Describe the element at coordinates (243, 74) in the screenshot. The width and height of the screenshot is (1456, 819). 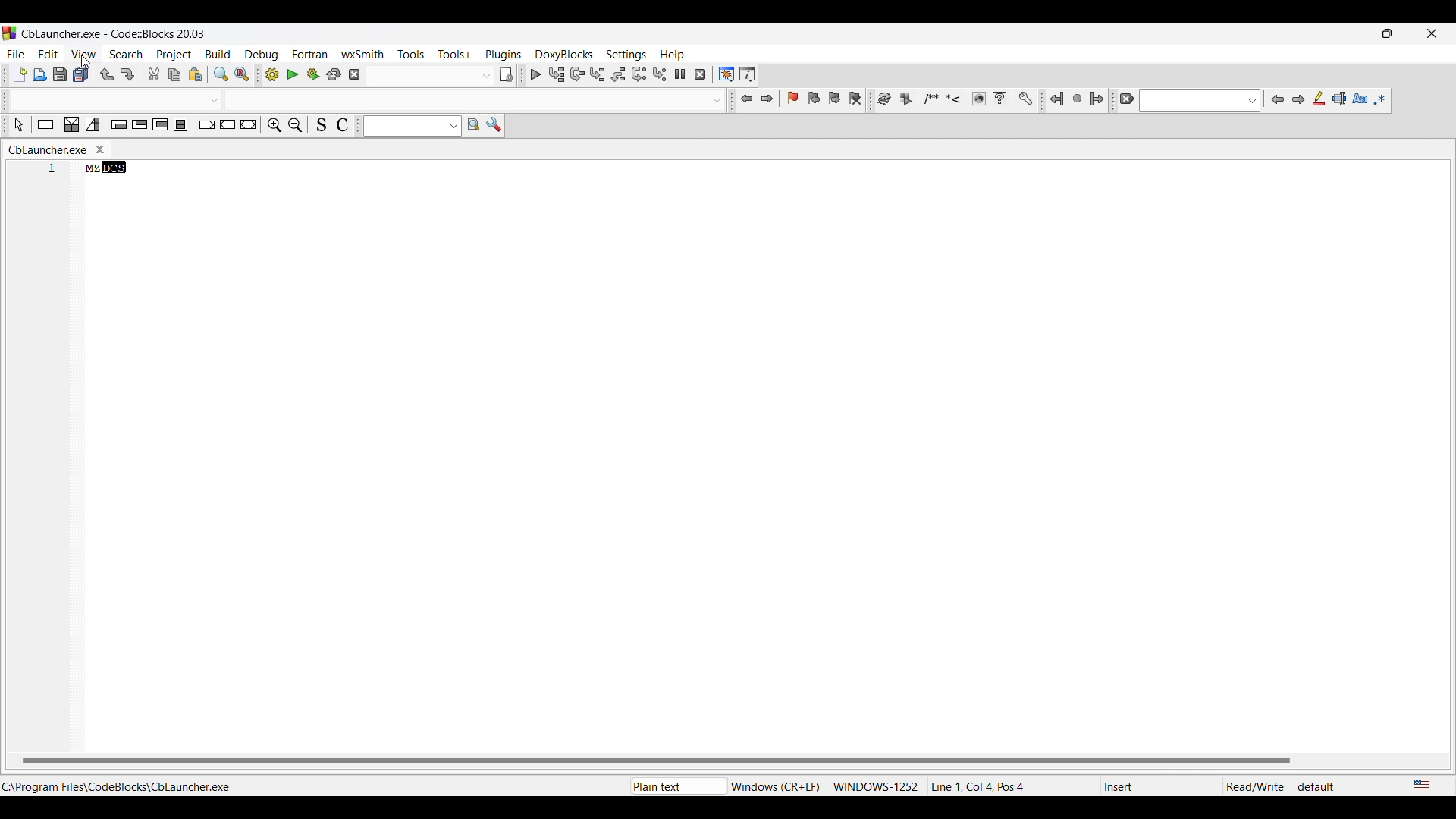
I see `Replace` at that location.